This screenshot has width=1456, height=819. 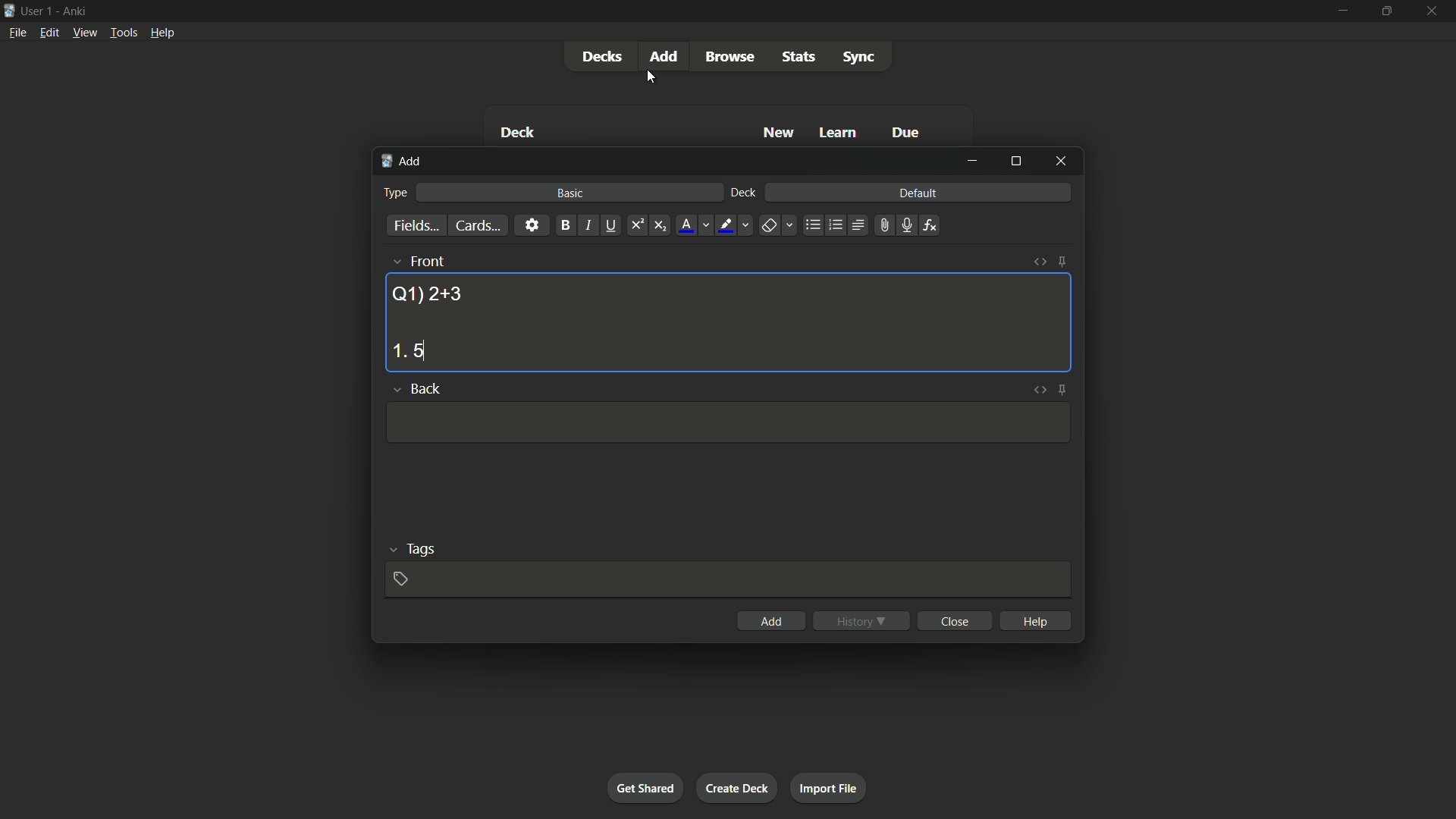 What do you see at coordinates (1040, 262) in the screenshot?
I see `toggle html editor` at bounding box center [1040, 262].